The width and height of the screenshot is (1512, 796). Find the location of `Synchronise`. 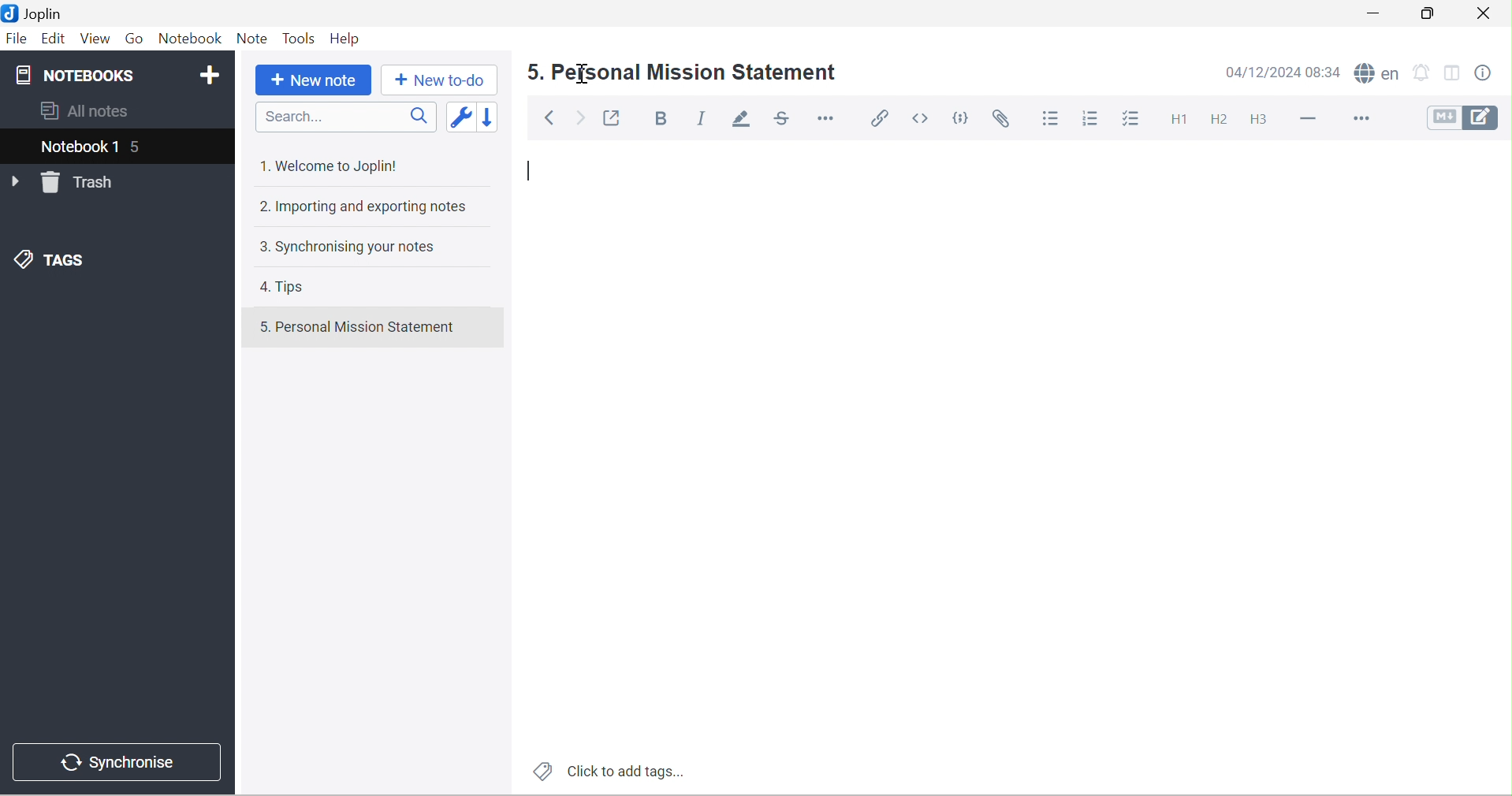

Synchronise is located at coordinates (117, 762).